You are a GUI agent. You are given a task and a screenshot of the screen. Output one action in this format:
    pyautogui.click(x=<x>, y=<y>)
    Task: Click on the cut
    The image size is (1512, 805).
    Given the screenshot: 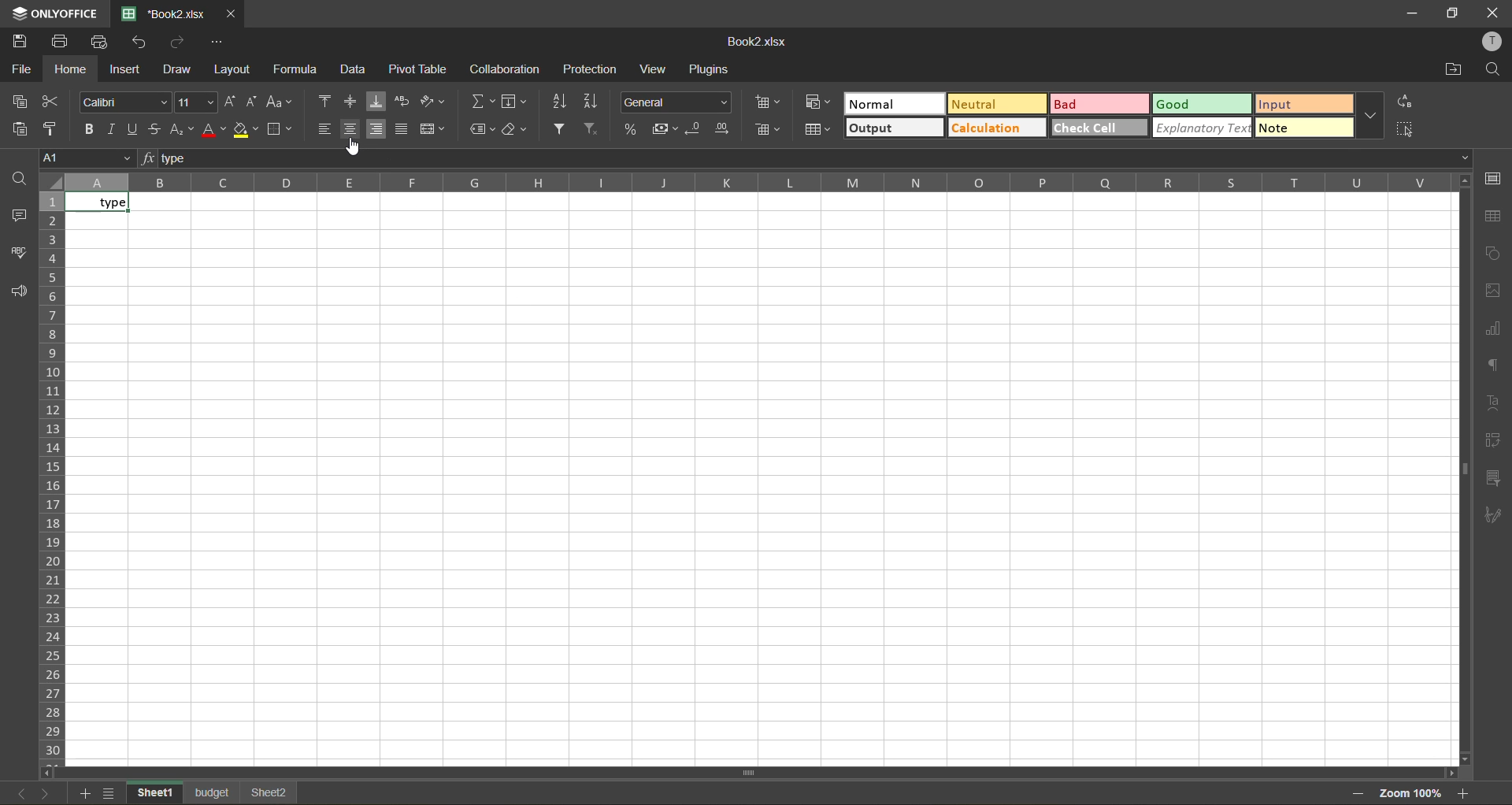 What is the action you would take?
    pyautogui.click(x=51, y=101)
    